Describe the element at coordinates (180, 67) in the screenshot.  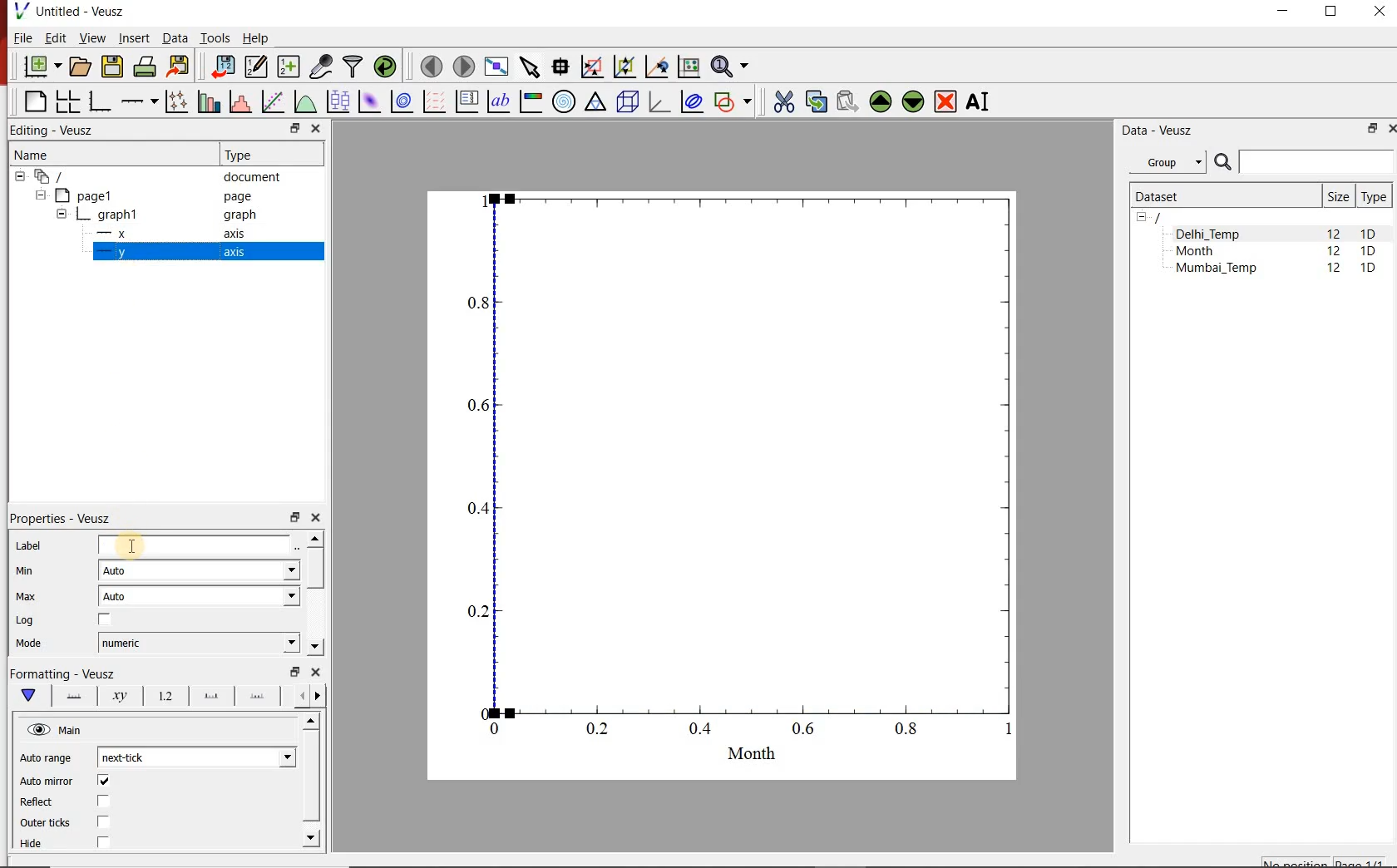
I see `export to graphics format` at that location.